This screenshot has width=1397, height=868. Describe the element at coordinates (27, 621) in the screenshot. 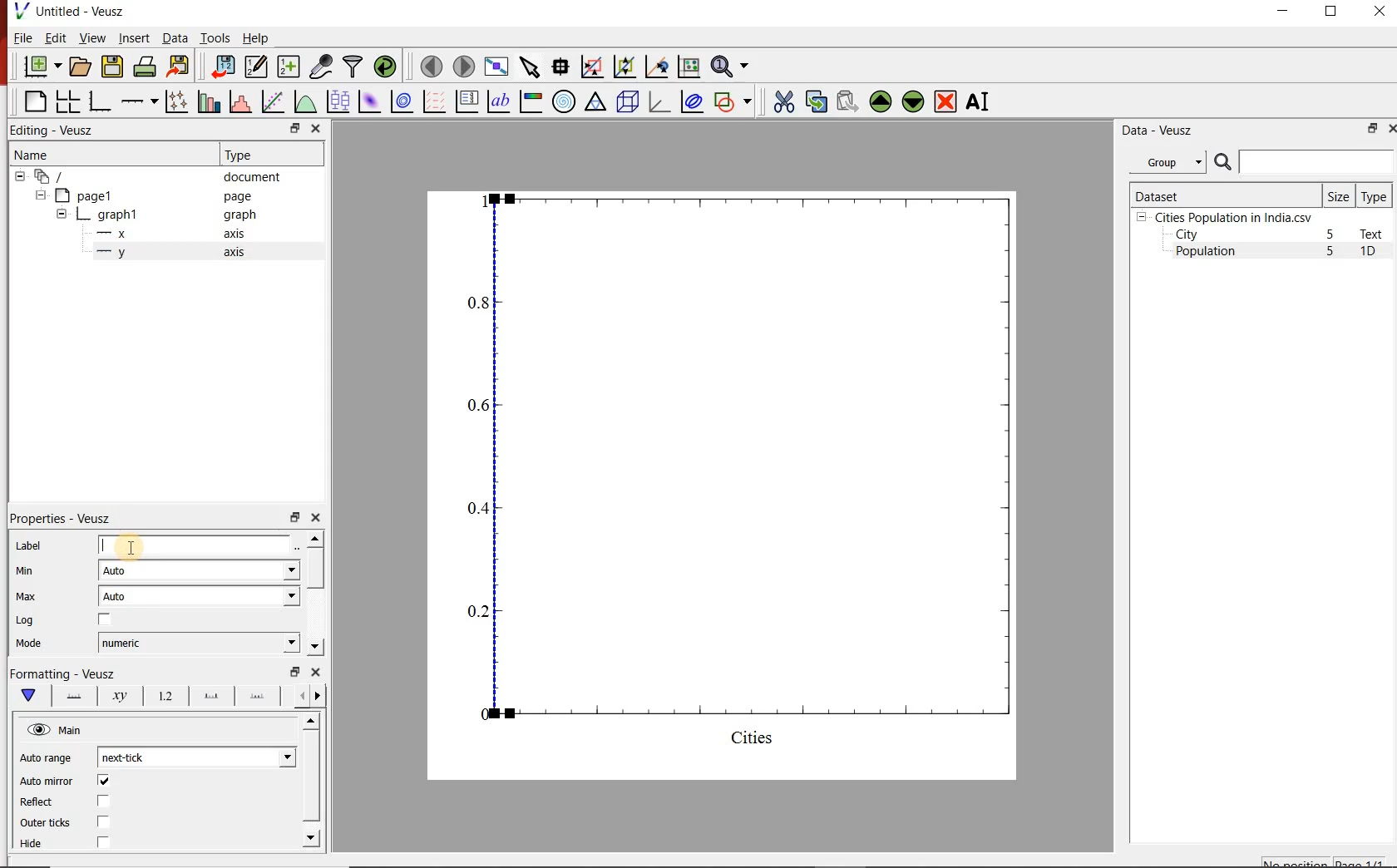

I see `Log` at that location.